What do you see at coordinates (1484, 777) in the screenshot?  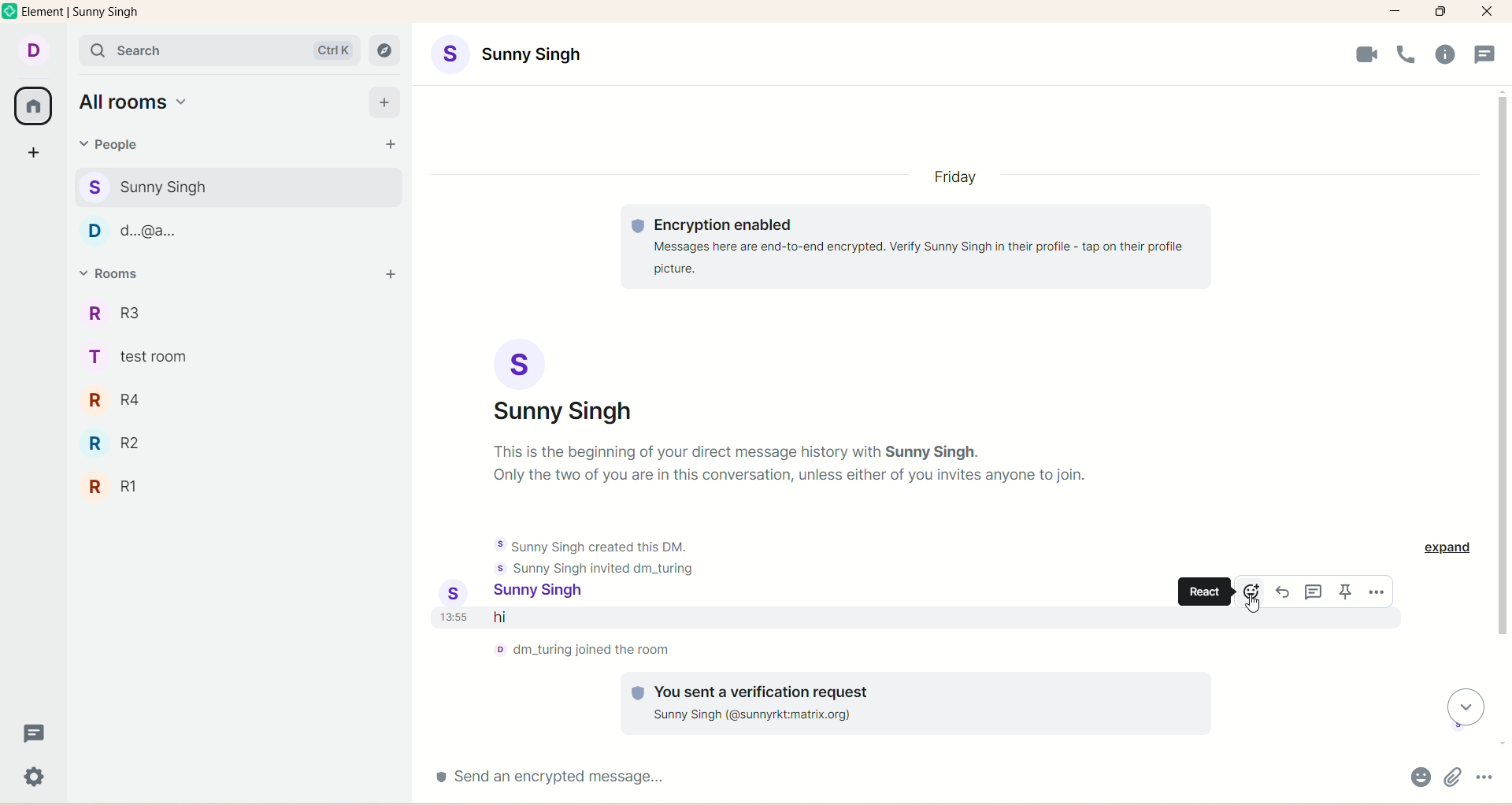 I see `options` at bounding box center [1484, 777].